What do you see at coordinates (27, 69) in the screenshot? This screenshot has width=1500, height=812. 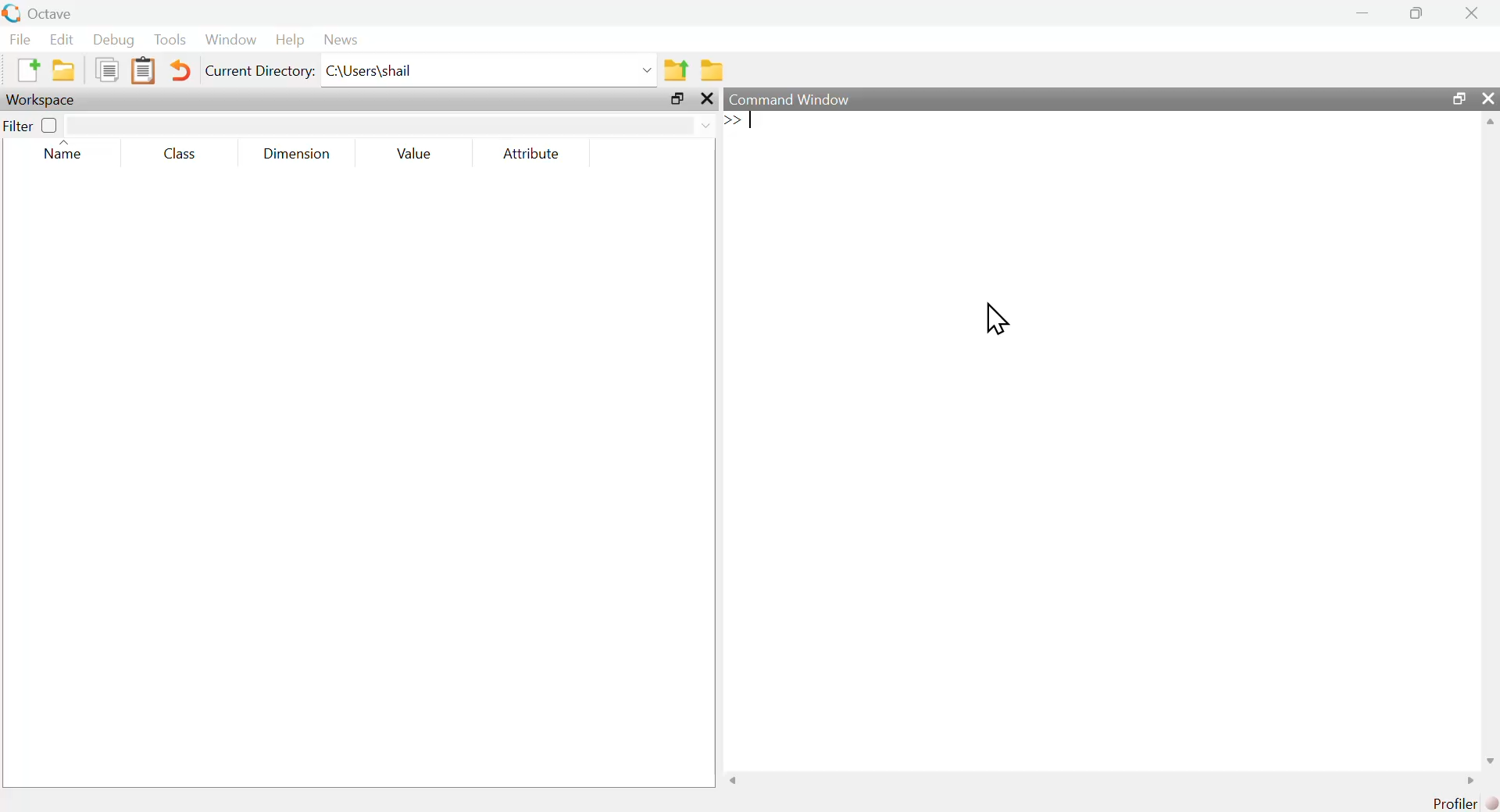 I see `New File` at bounding box center [27, 69].